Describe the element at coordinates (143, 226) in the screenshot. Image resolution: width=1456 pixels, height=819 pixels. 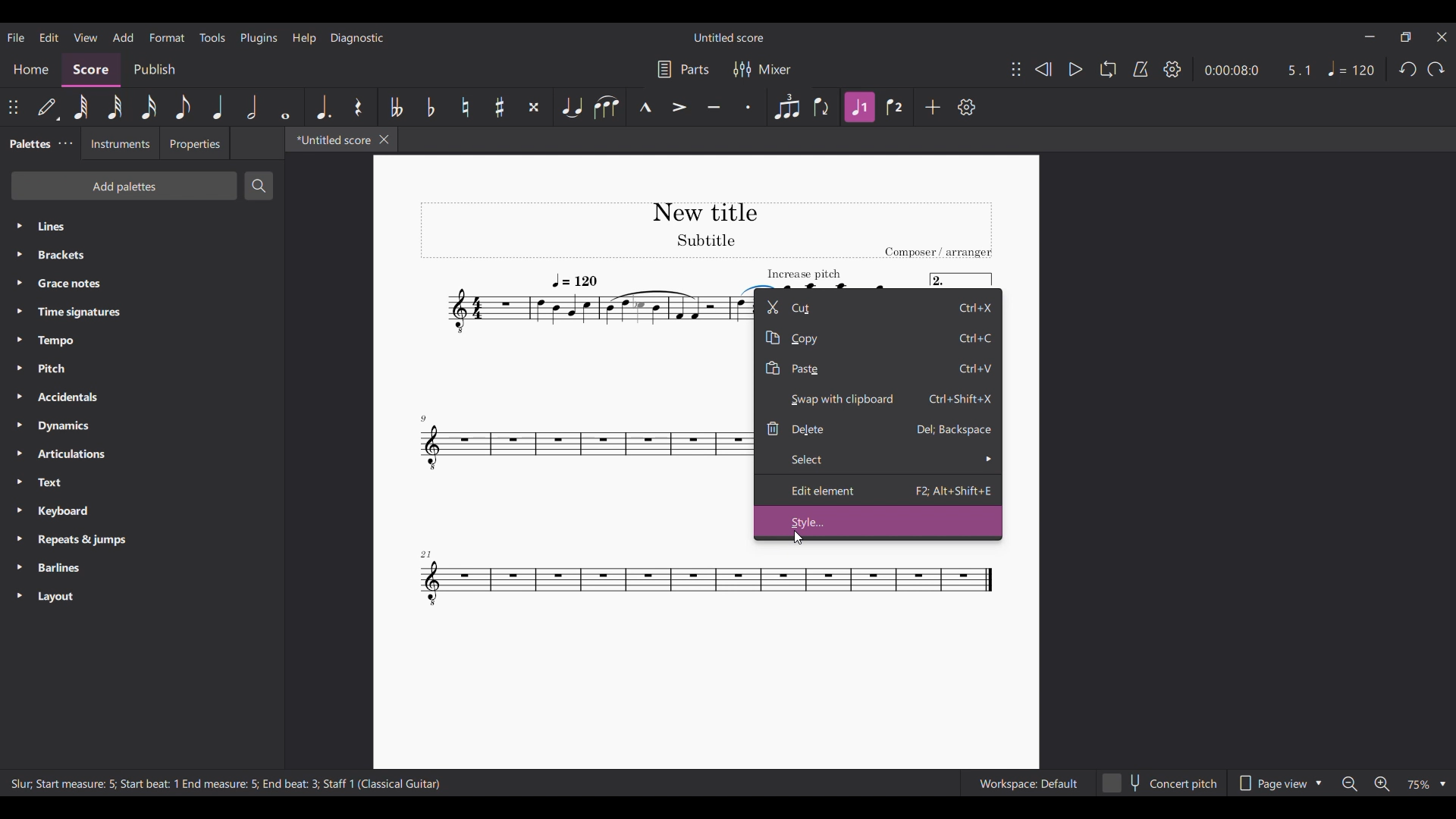
I see `Lines` at that location.